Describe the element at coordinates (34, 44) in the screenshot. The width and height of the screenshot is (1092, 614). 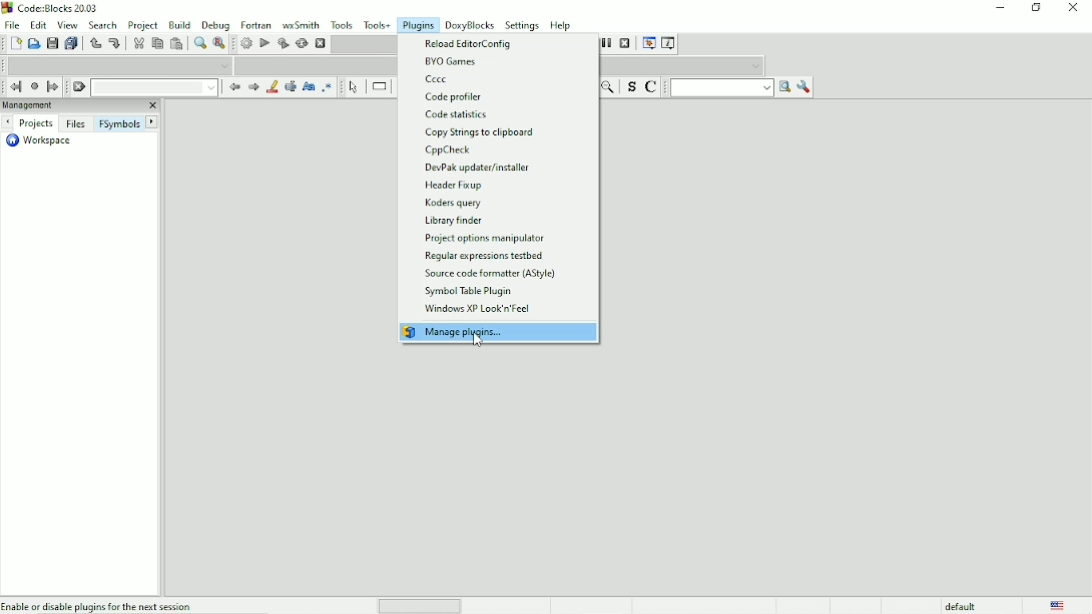
I see `Open` at that location.